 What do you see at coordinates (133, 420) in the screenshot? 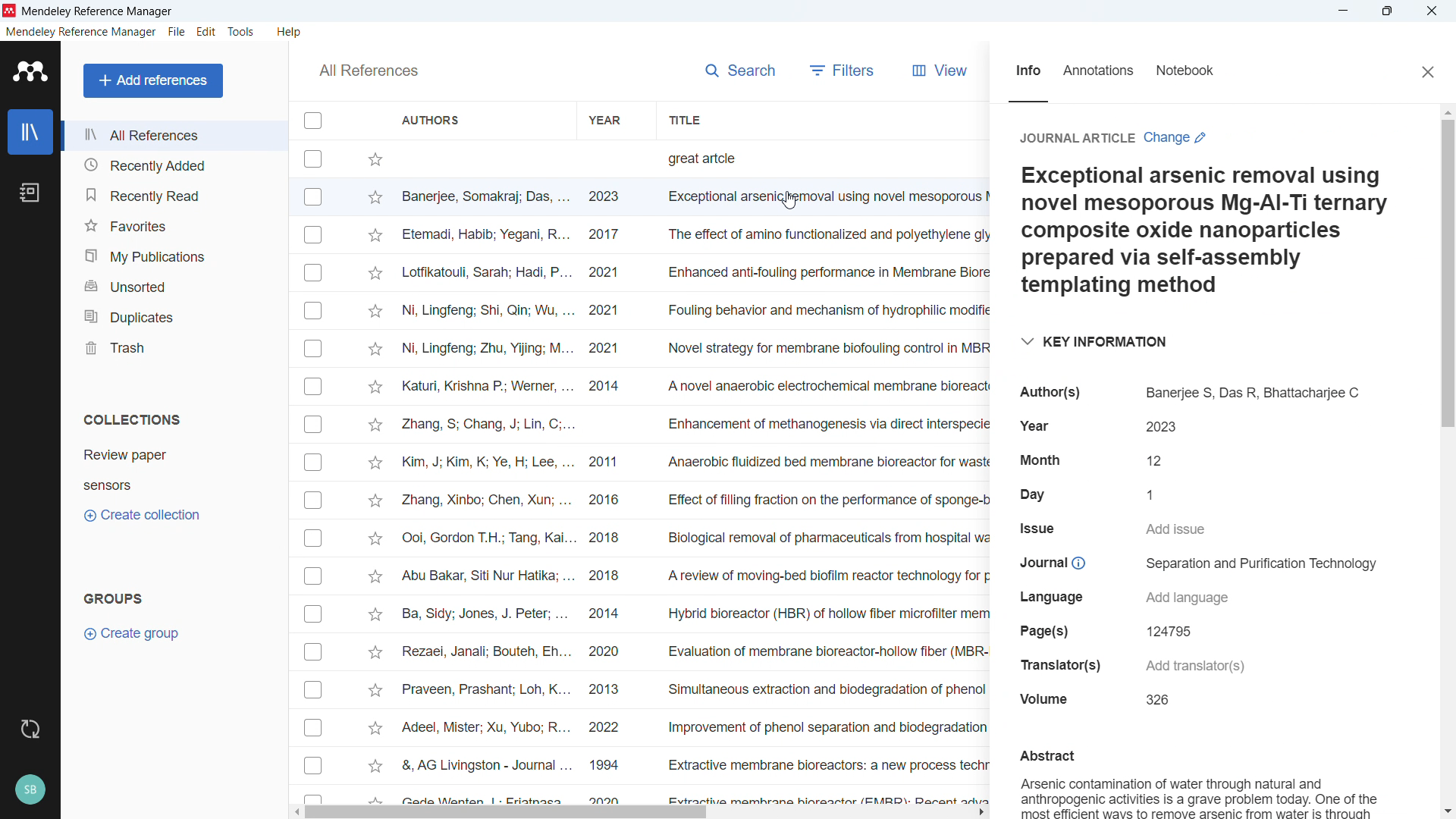
I see `Collections ` at bounding box center [133, 420].